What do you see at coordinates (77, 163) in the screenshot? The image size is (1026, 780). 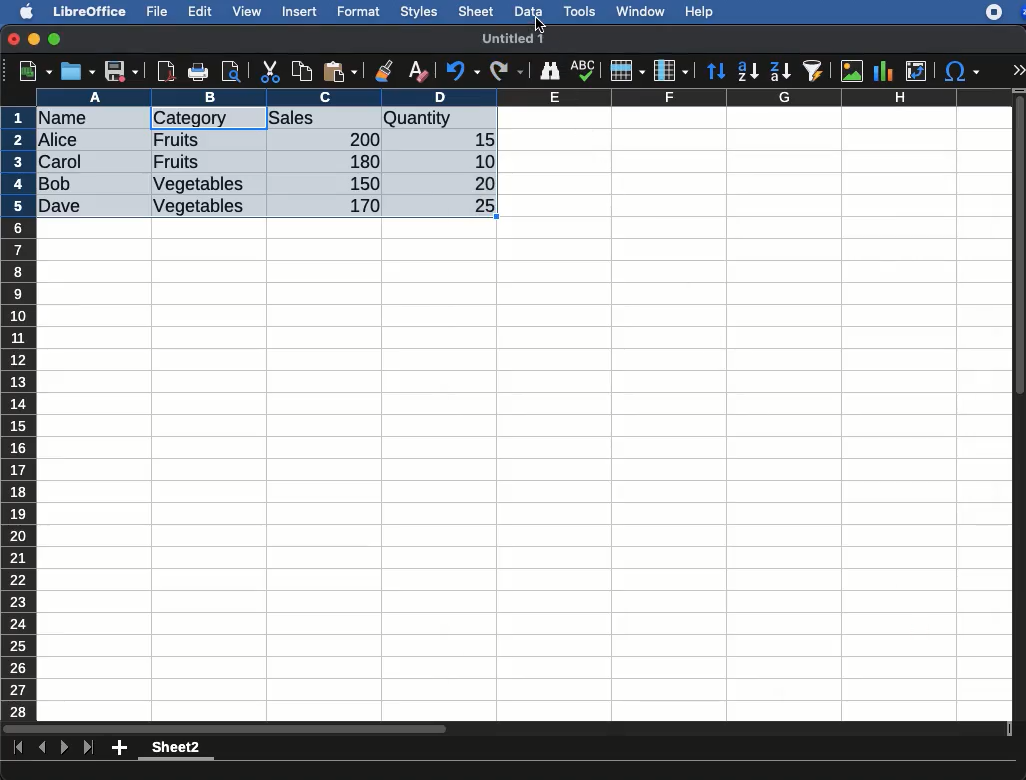 I see `Carol` at bounding box center [77, 163].